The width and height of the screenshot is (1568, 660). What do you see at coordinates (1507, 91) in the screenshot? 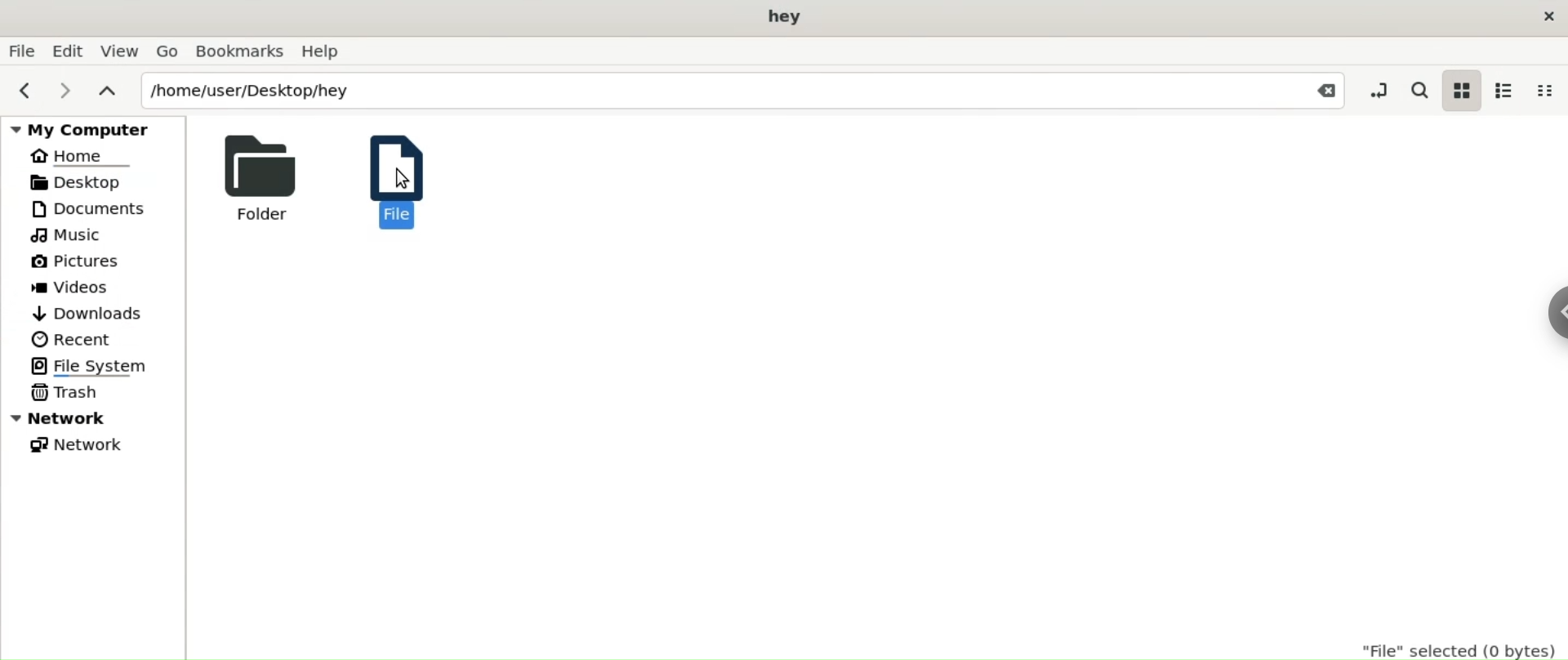
I see `list view` at bounding box center [1507, 91].